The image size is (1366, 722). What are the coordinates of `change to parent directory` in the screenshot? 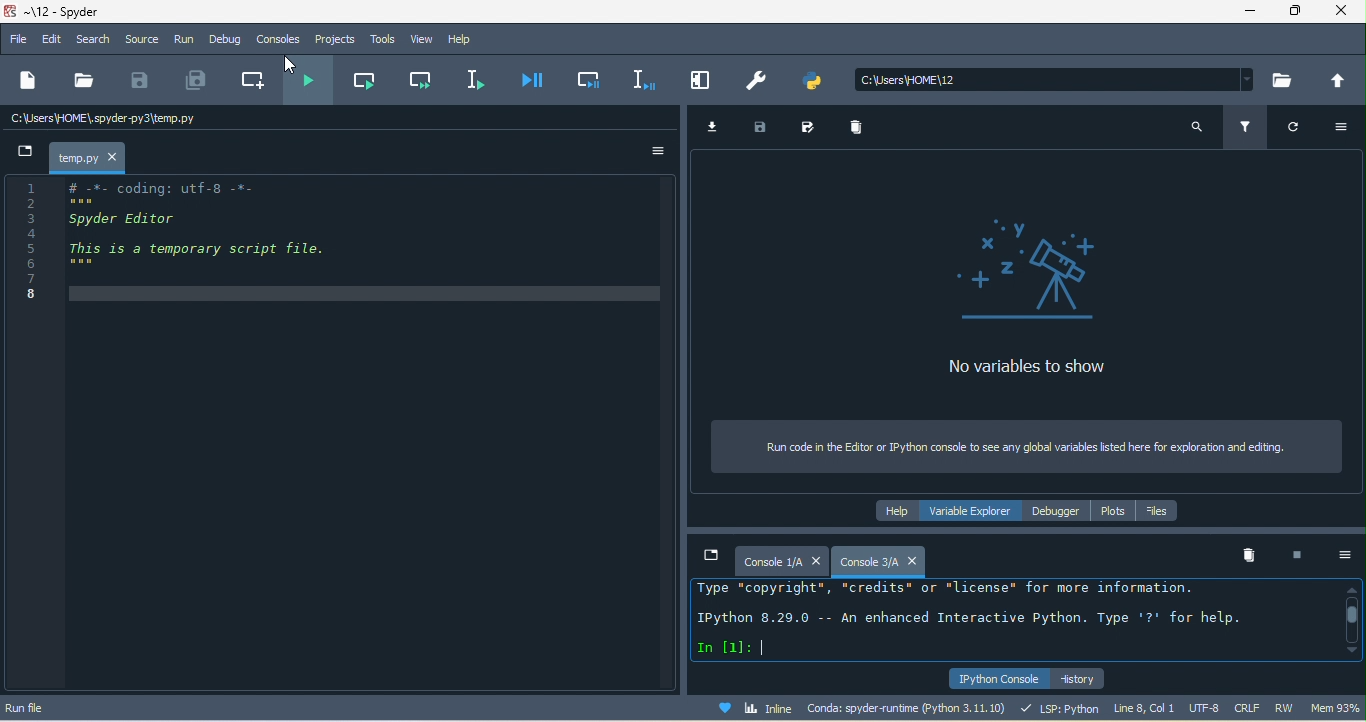 It's located at (1340, 81).